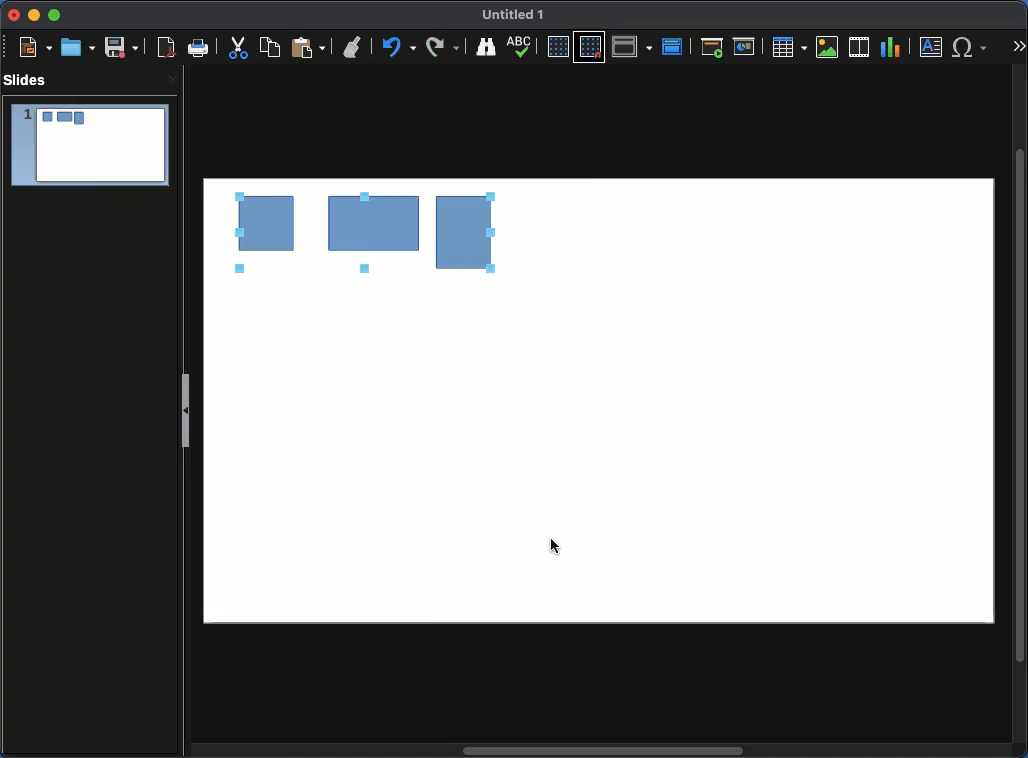 This screenshot has width=1028, height=758. I want to click on Open, so click(76, 47).